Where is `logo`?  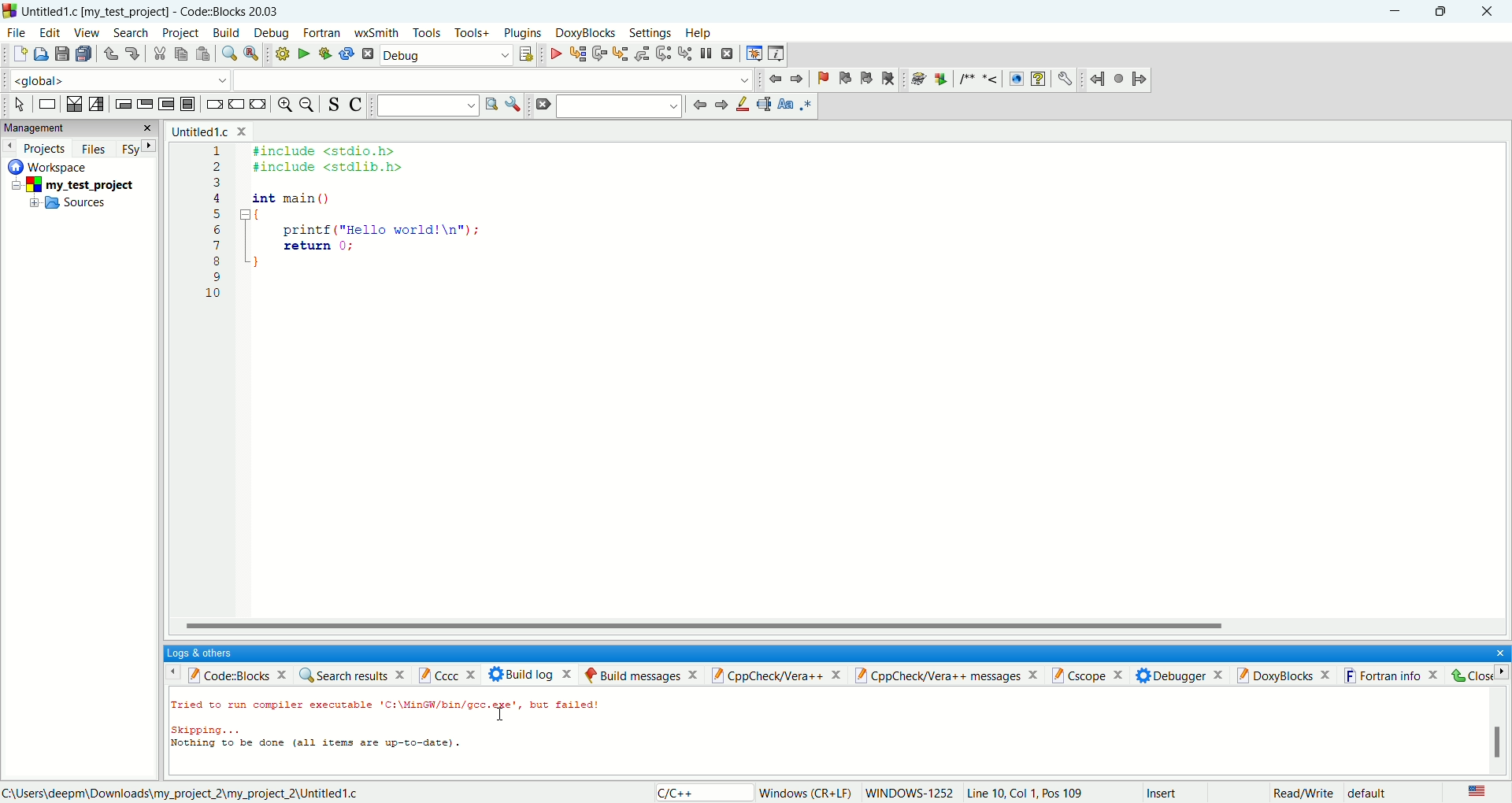
logo is located at coordinates (9, 11).